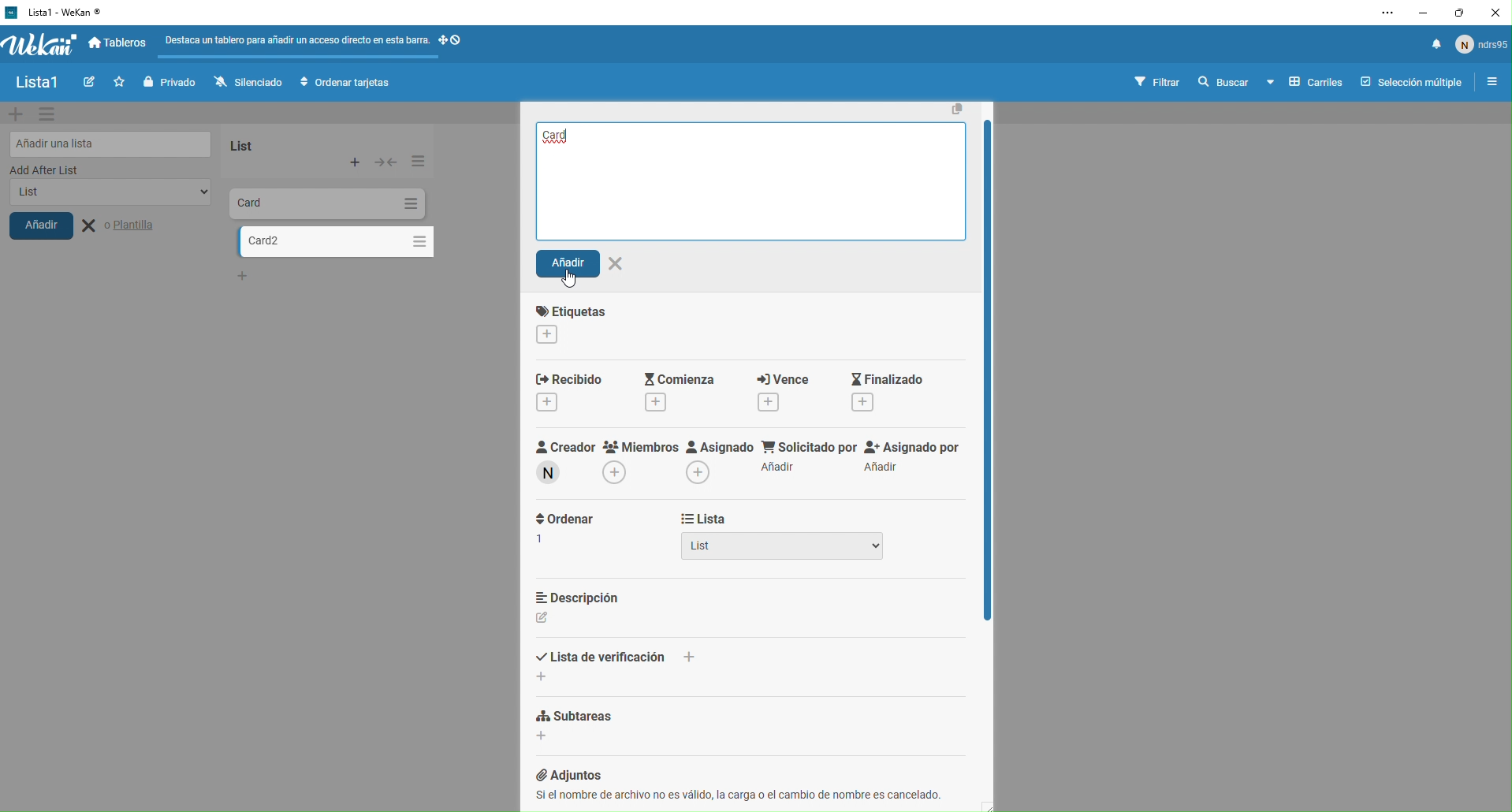  Describe the element at coordinates (1482, 48) in the screenshot. I see `usuario` at that location.